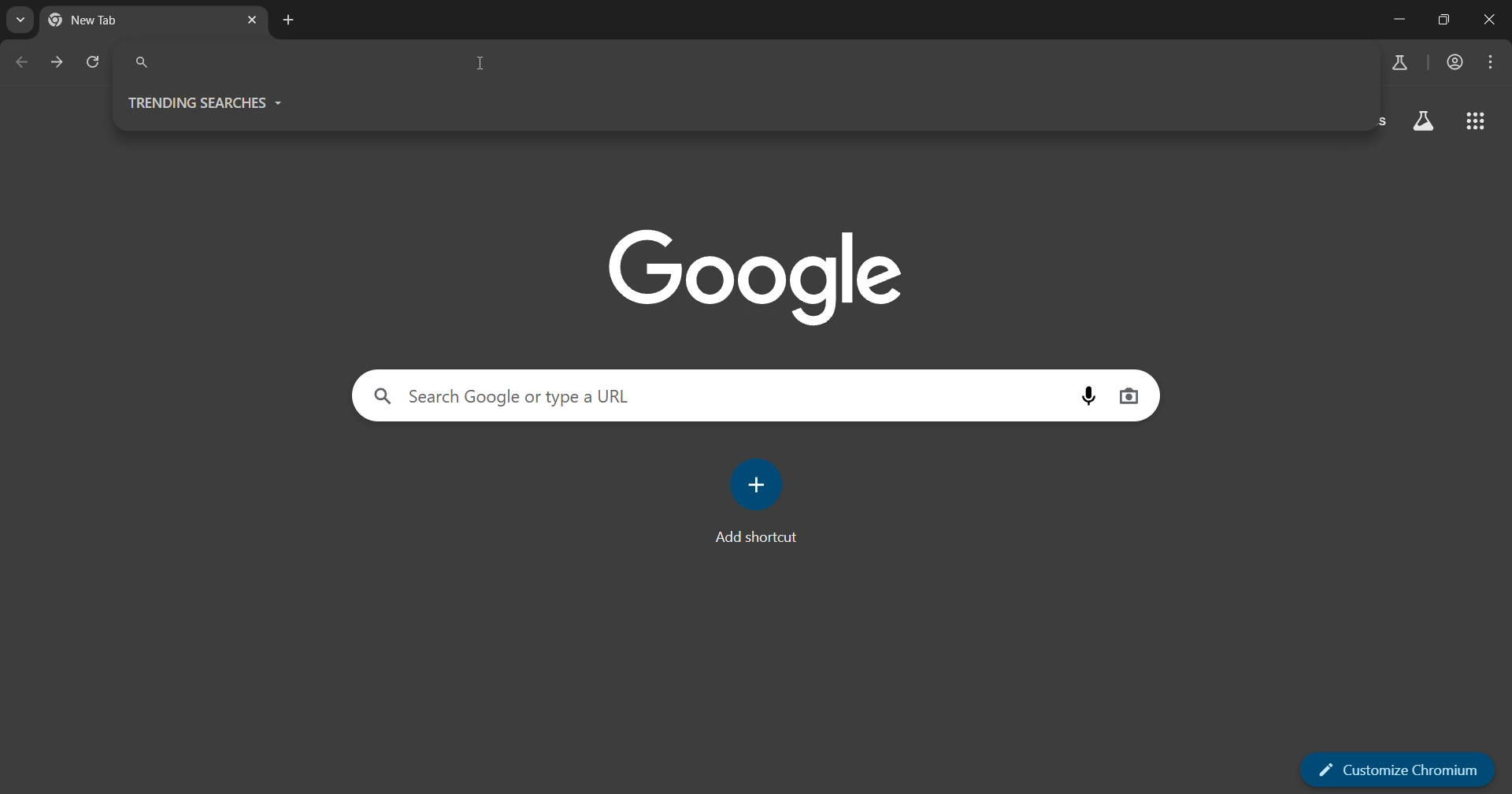  What do you see at coordinates (94, 62) in the screenshot?
I see `reload page` at bounding box center [94, 62].